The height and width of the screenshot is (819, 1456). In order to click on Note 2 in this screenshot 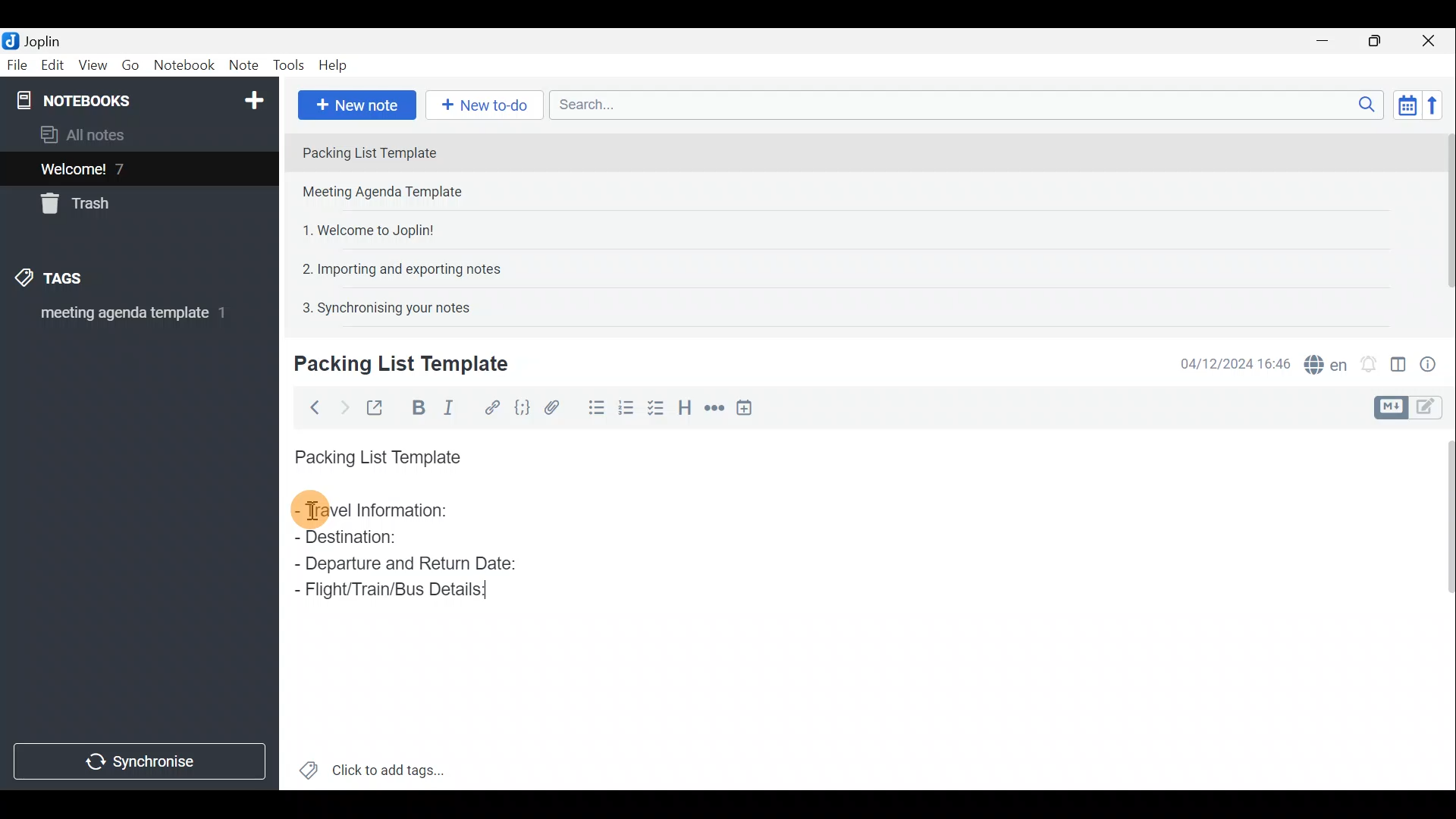, I will do `click(397, 193)`.